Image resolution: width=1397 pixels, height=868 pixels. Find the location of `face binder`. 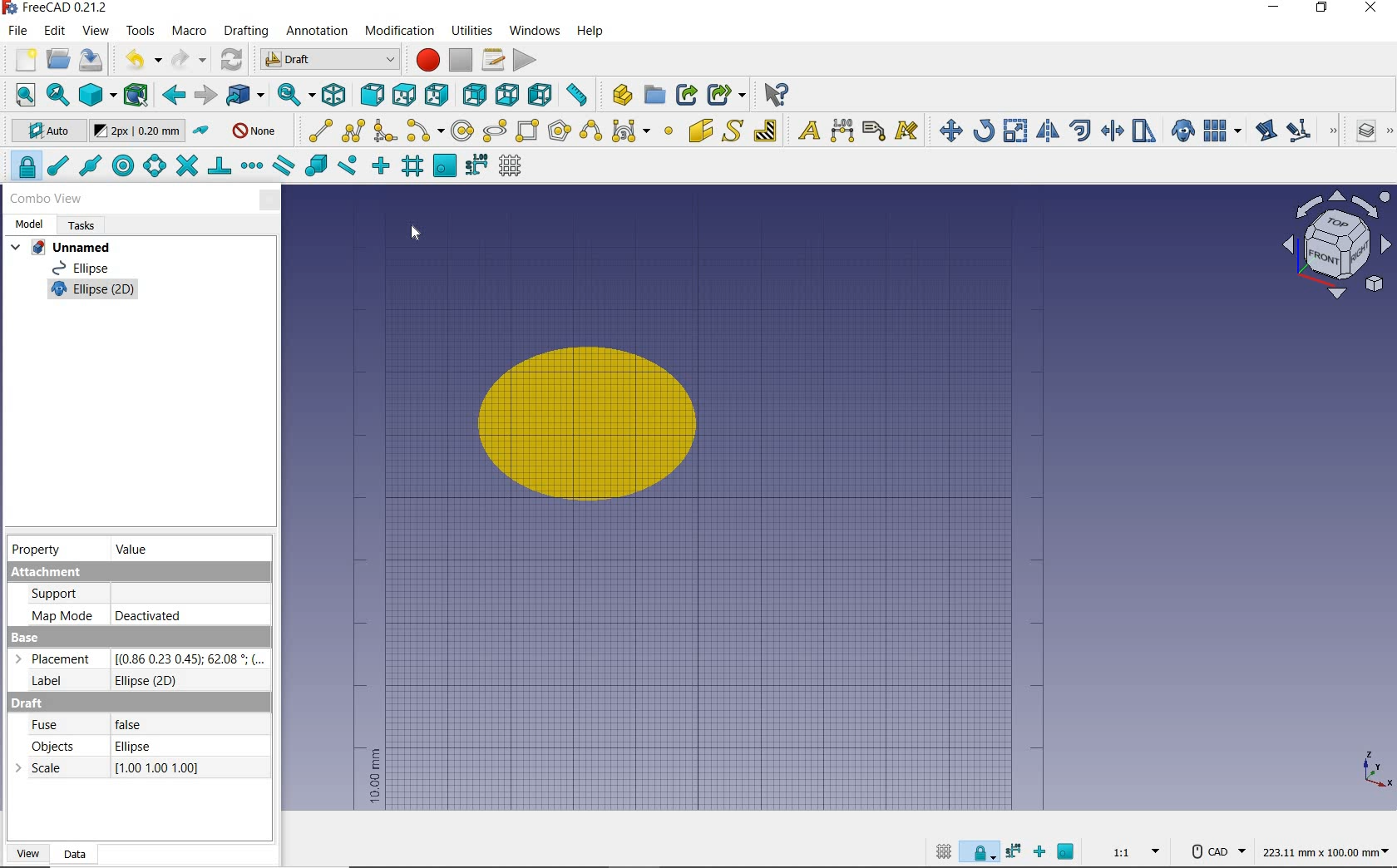

face binder is located at coordinates (702, 132).